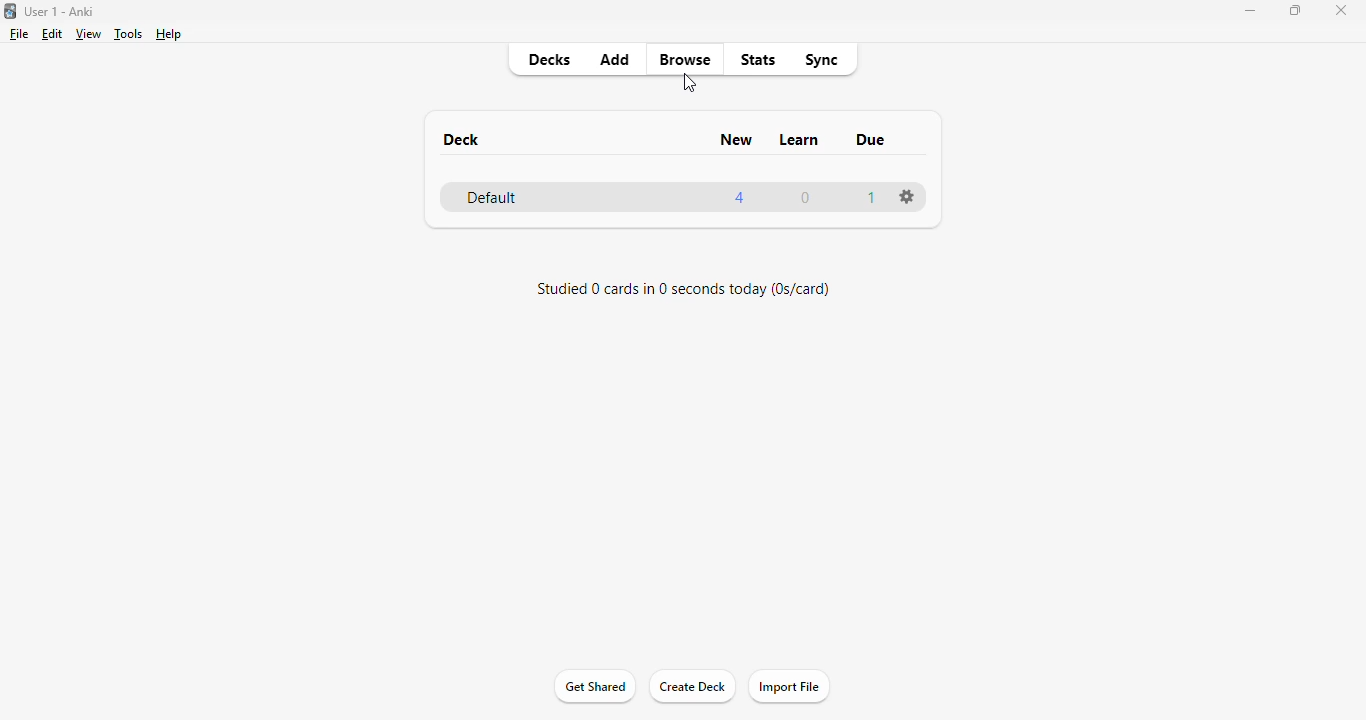 The height and width of the screenshot is (720, 1366). What do you see at coordinates (683, 290) in the screenshot?
I see `studied 0 cards in 0 seconds today (0s/card)` at bounding box center [683, 290].